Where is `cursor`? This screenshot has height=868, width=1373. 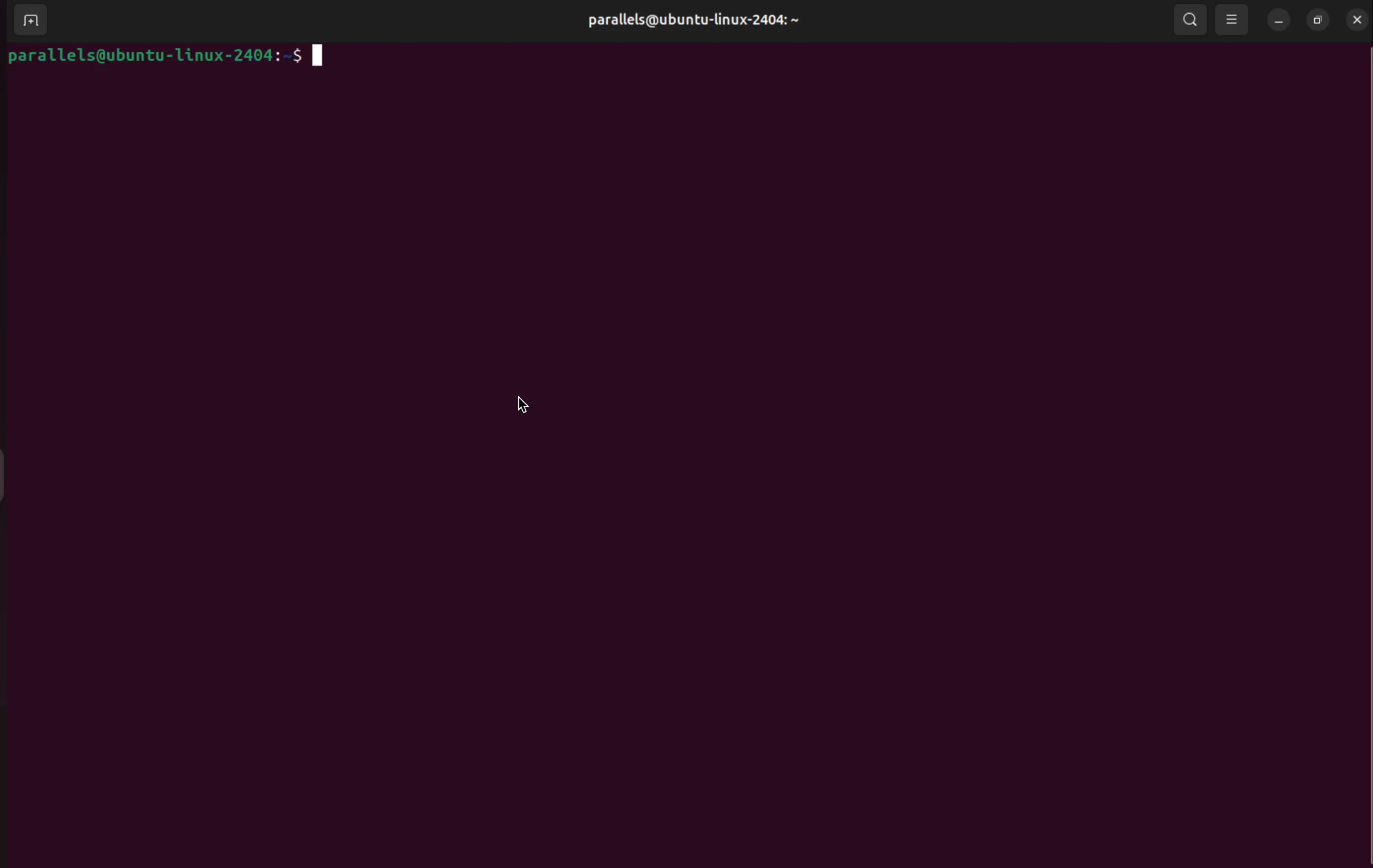
cursor is located at coordinates (527, 407).